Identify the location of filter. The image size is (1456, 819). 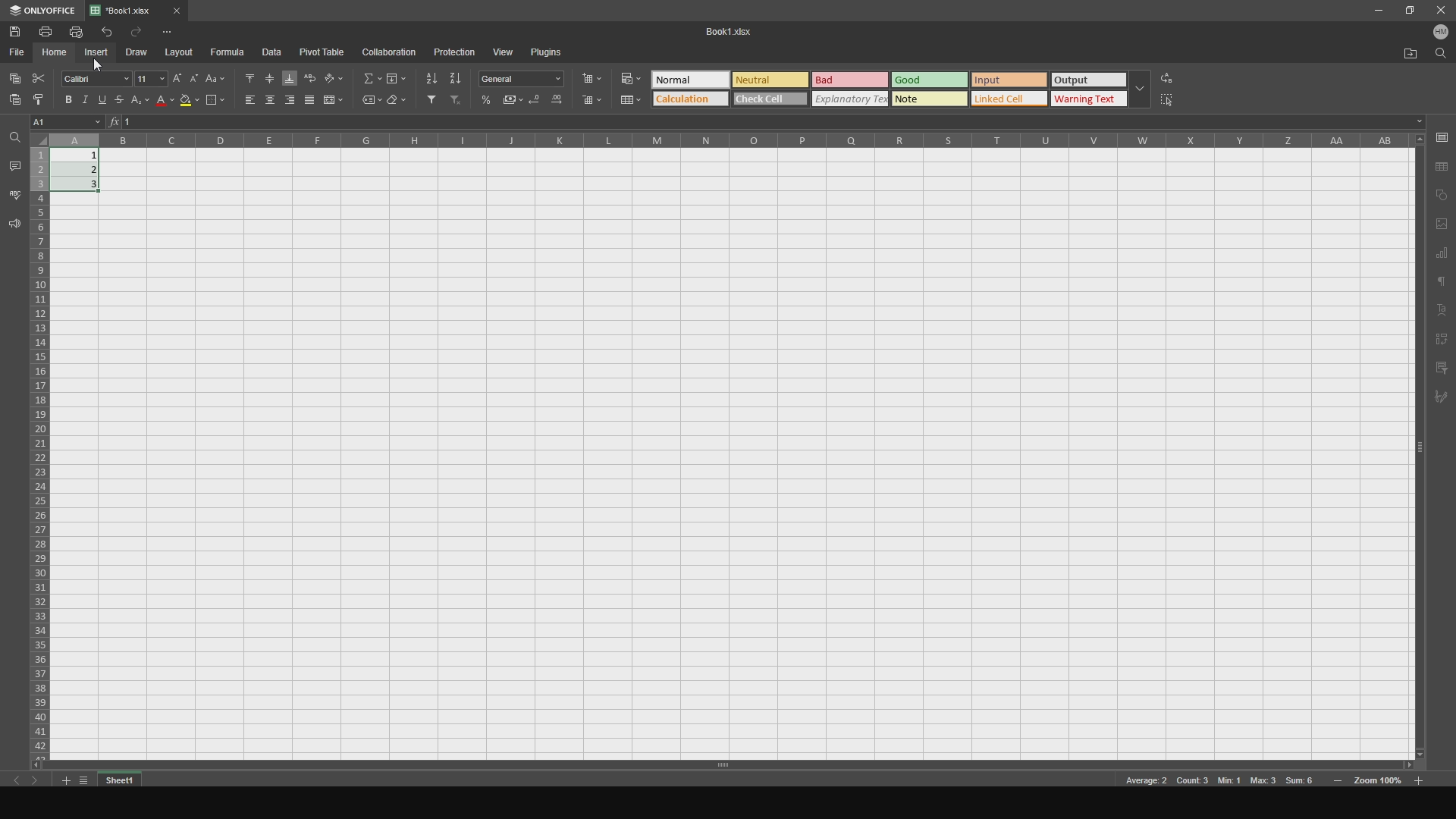
(428, 101).